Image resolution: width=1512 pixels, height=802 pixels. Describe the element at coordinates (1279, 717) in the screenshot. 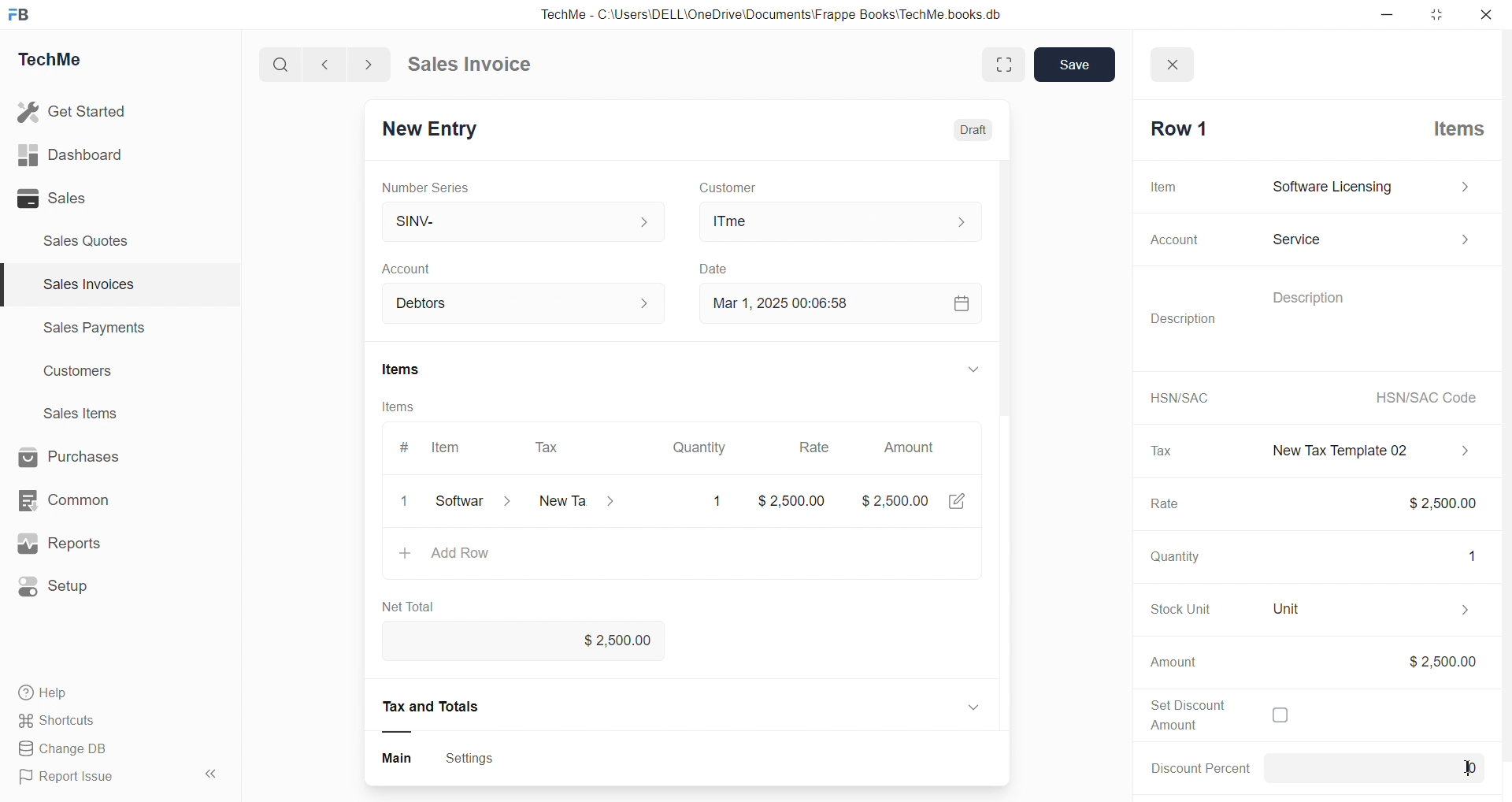

I see `checkbox` at that location.